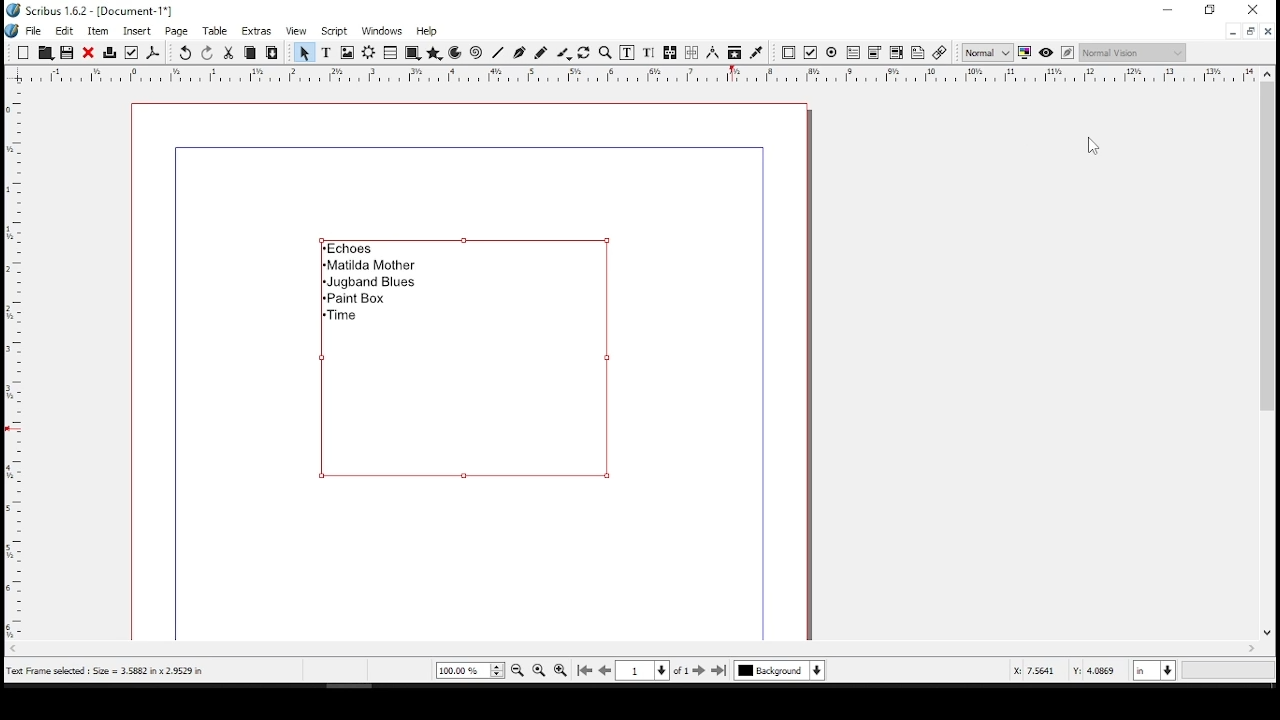  What do you see at coordinates (369, 284) in the screenshot?
I see `jugband blues` at bounding box center [369, 284].